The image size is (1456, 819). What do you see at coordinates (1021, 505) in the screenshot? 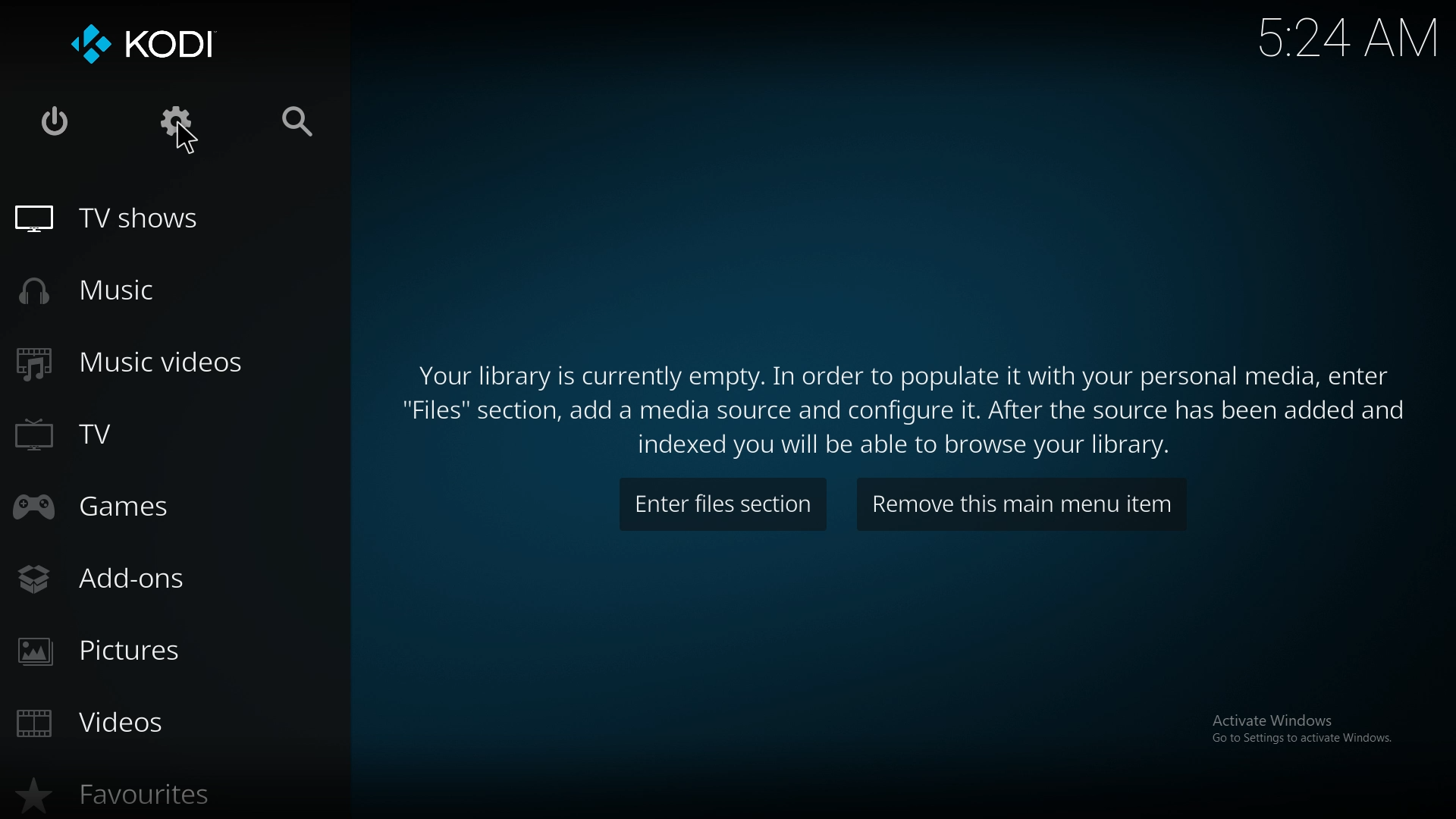
I see `remove item` at bounding box center [1021, 505].